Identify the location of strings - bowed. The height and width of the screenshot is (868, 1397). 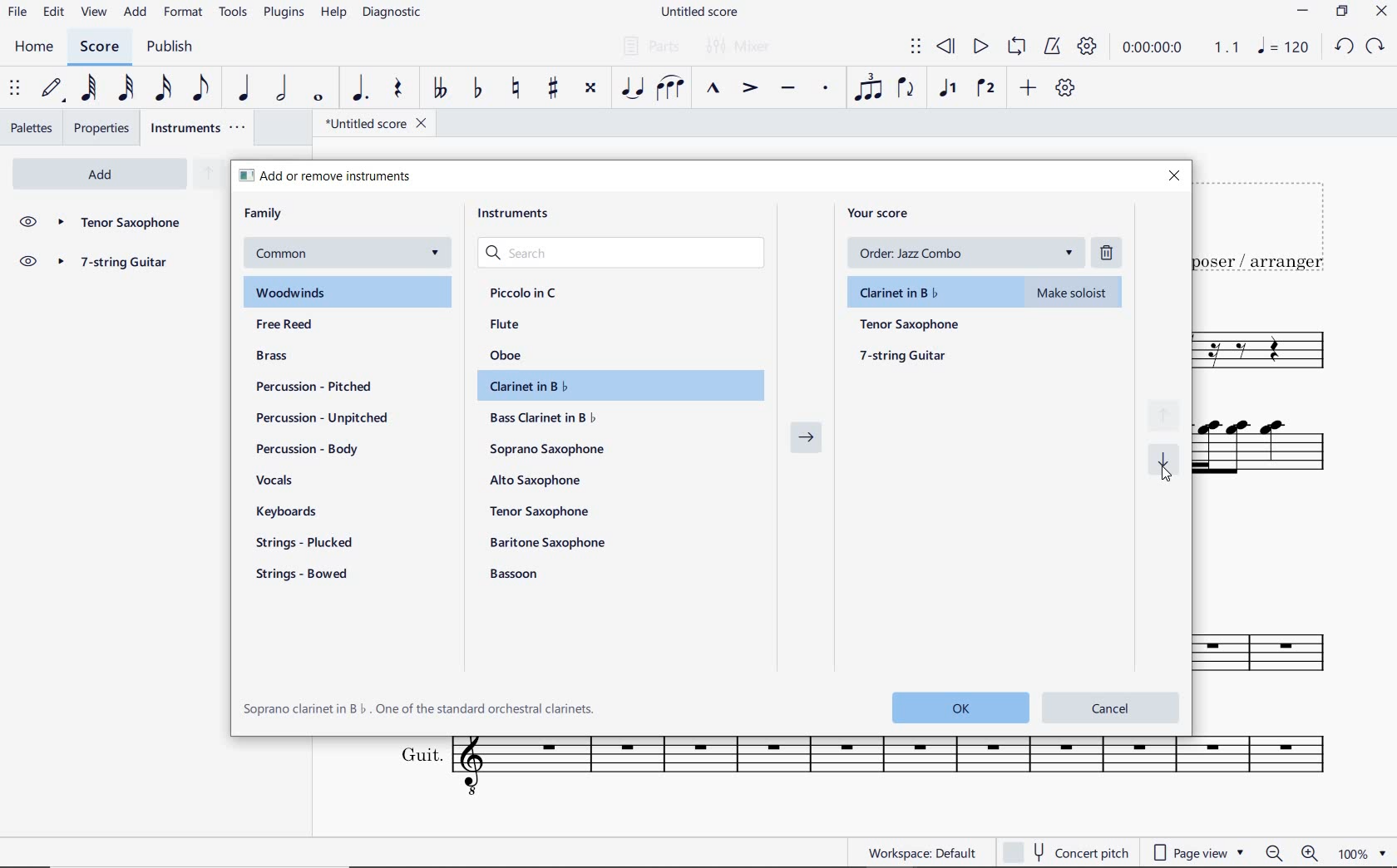
(306, 576).